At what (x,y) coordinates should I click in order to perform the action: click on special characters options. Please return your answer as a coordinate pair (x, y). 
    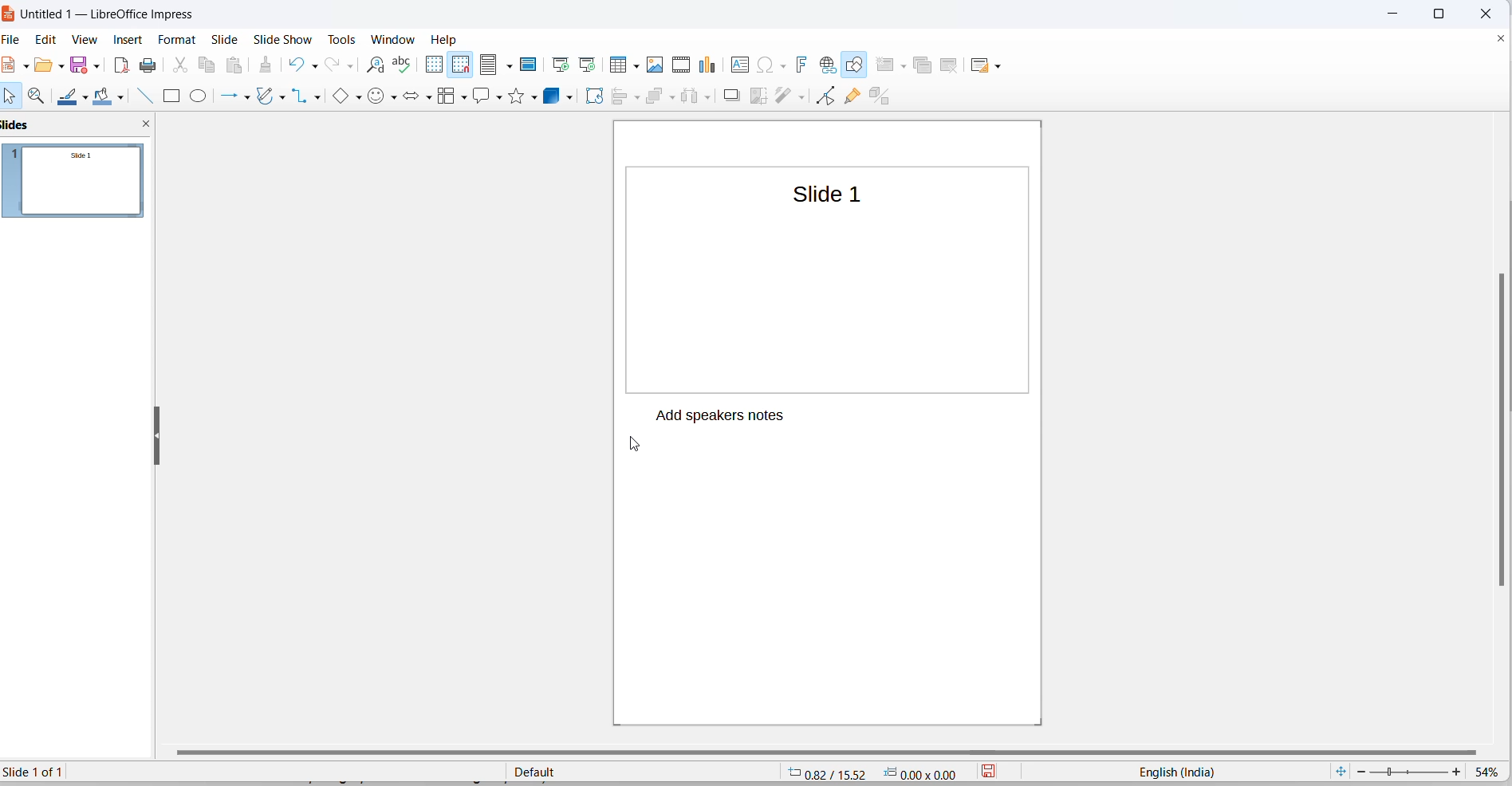
    Looking at the image, I should click on (782, 64).